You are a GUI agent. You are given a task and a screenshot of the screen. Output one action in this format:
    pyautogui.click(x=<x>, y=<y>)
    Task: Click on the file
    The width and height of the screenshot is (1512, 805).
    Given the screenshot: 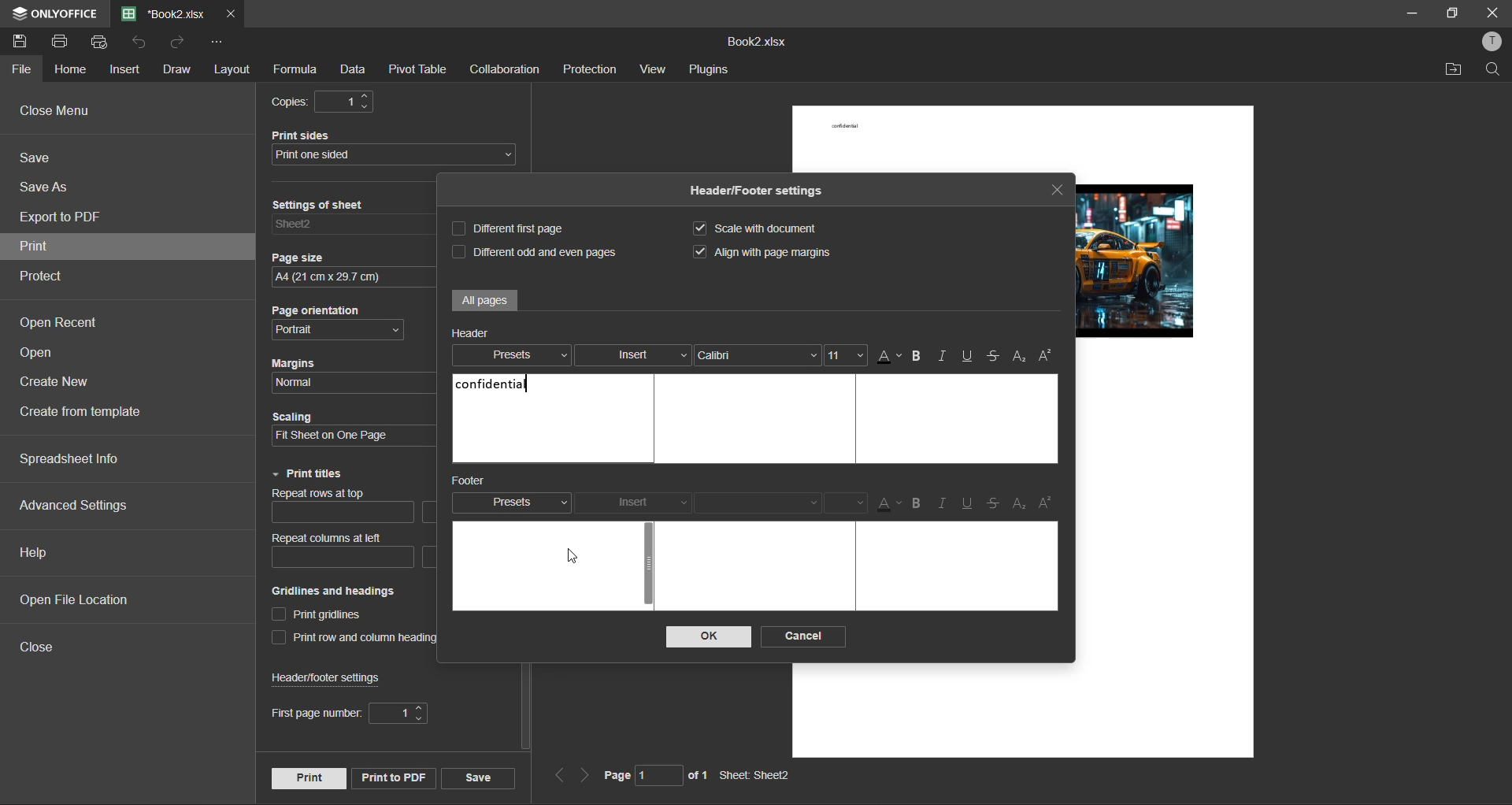 What is the action you would take?
    pyautogui.click(x=20, y=70)
    